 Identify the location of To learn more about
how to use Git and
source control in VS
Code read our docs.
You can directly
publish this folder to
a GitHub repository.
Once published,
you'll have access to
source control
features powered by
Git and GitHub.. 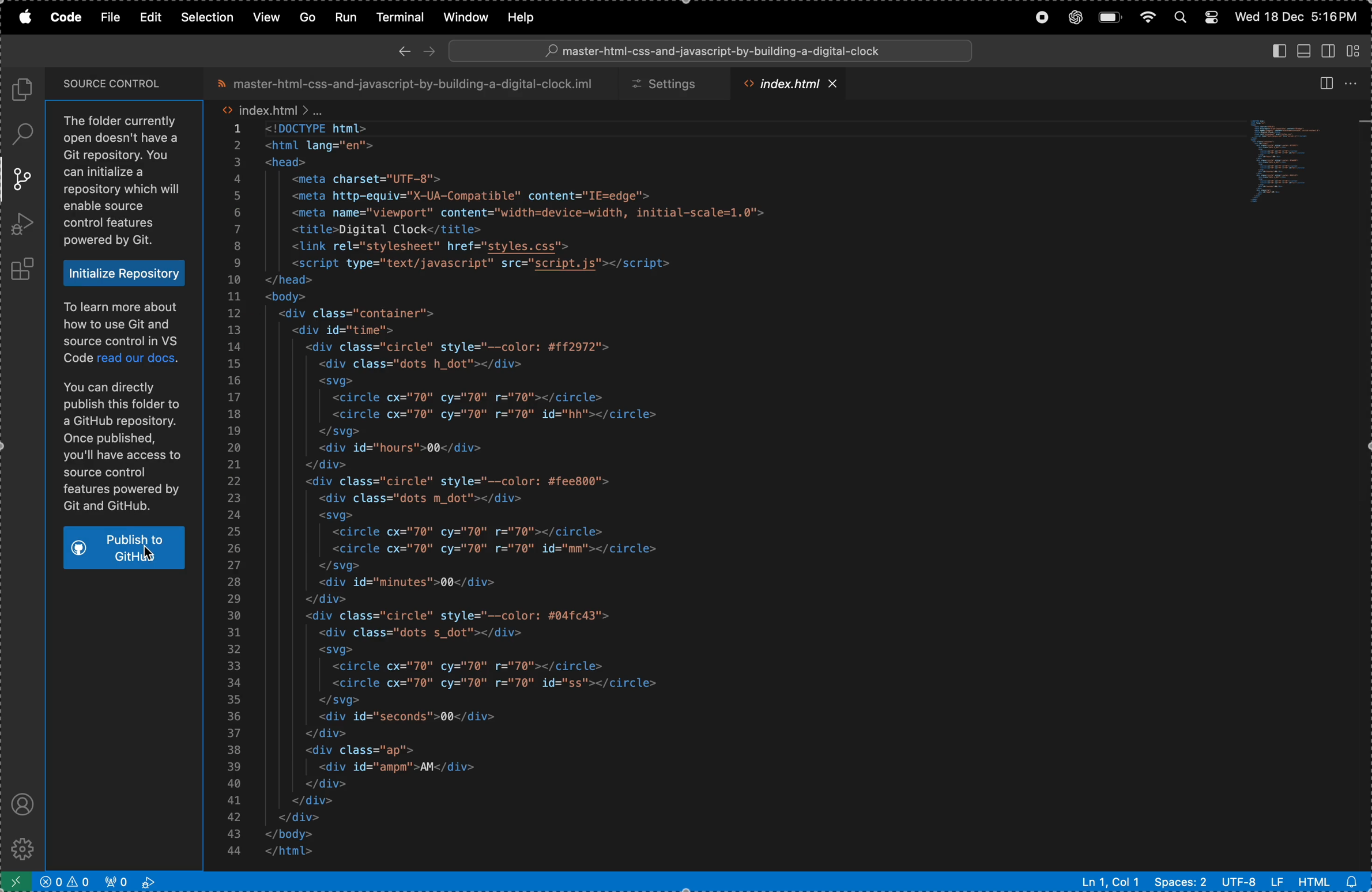
(123, 408).